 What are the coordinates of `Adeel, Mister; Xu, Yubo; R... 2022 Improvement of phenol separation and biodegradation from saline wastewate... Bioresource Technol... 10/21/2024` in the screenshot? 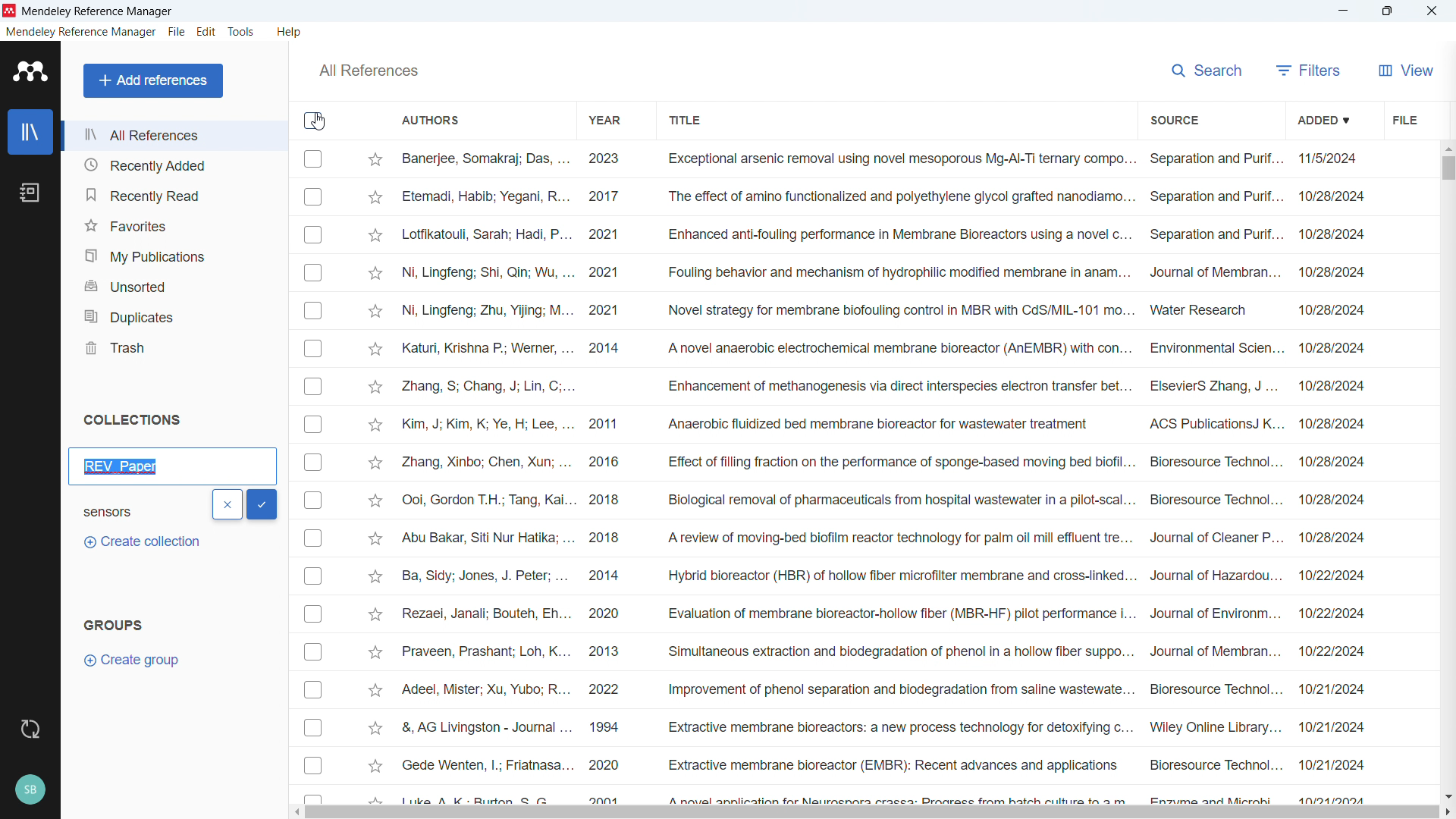 It's located at (882, 689).